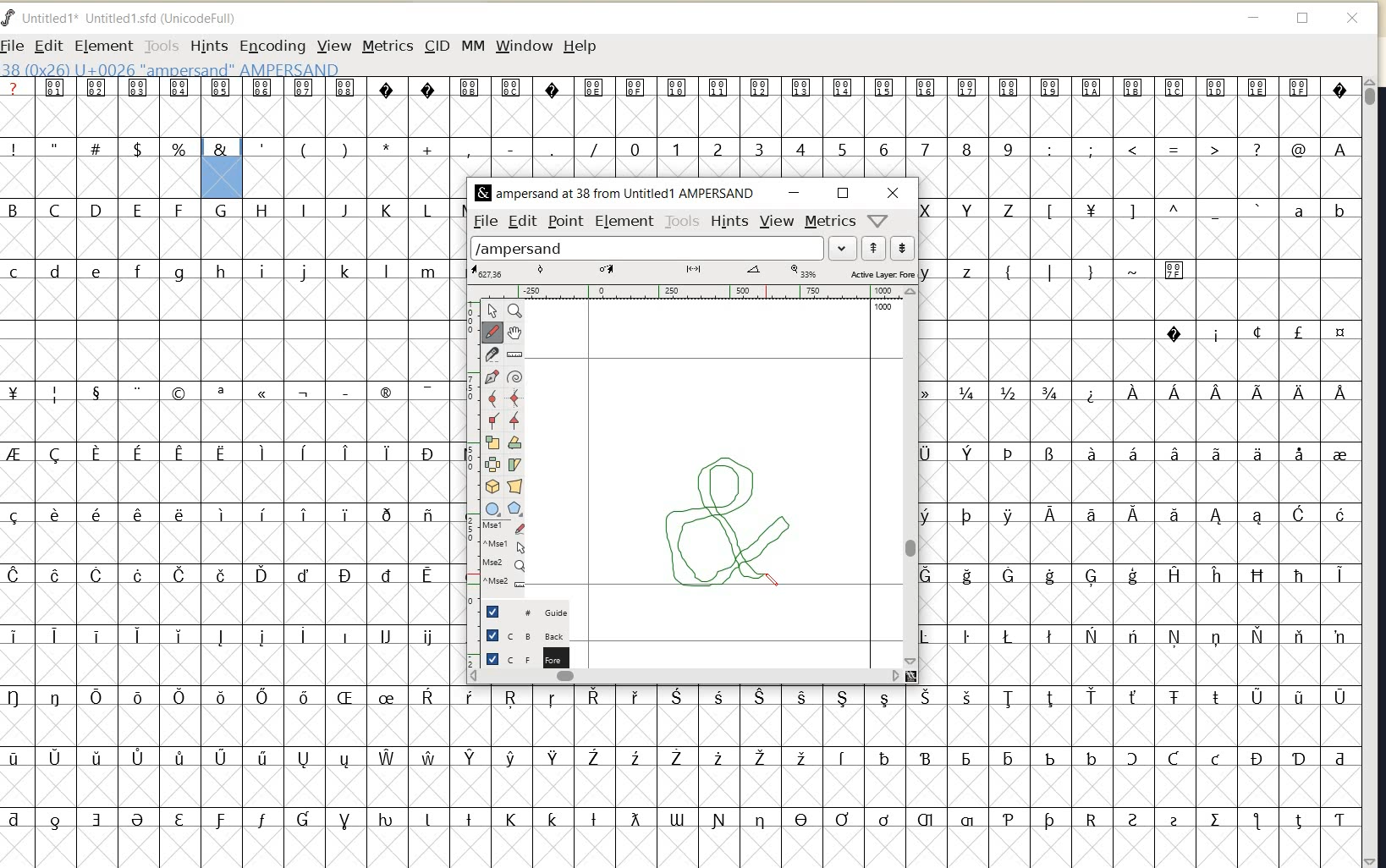  What do you see at coordinates (686, 678) in the screenshot?
I see `SCROLLBAR` at bounding box center [686, 678].